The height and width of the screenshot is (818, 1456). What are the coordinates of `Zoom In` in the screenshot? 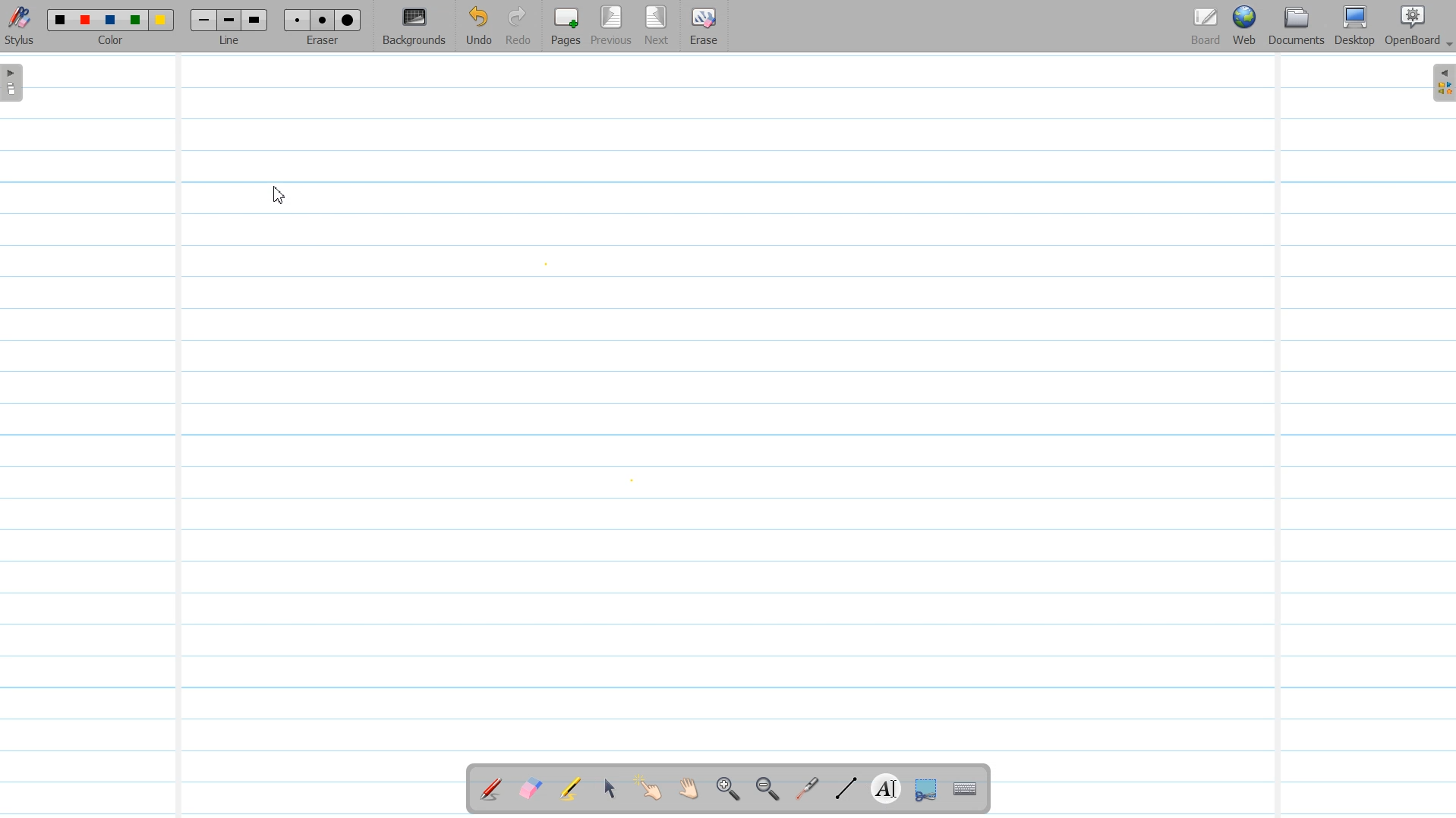 It's located at (727, 790).